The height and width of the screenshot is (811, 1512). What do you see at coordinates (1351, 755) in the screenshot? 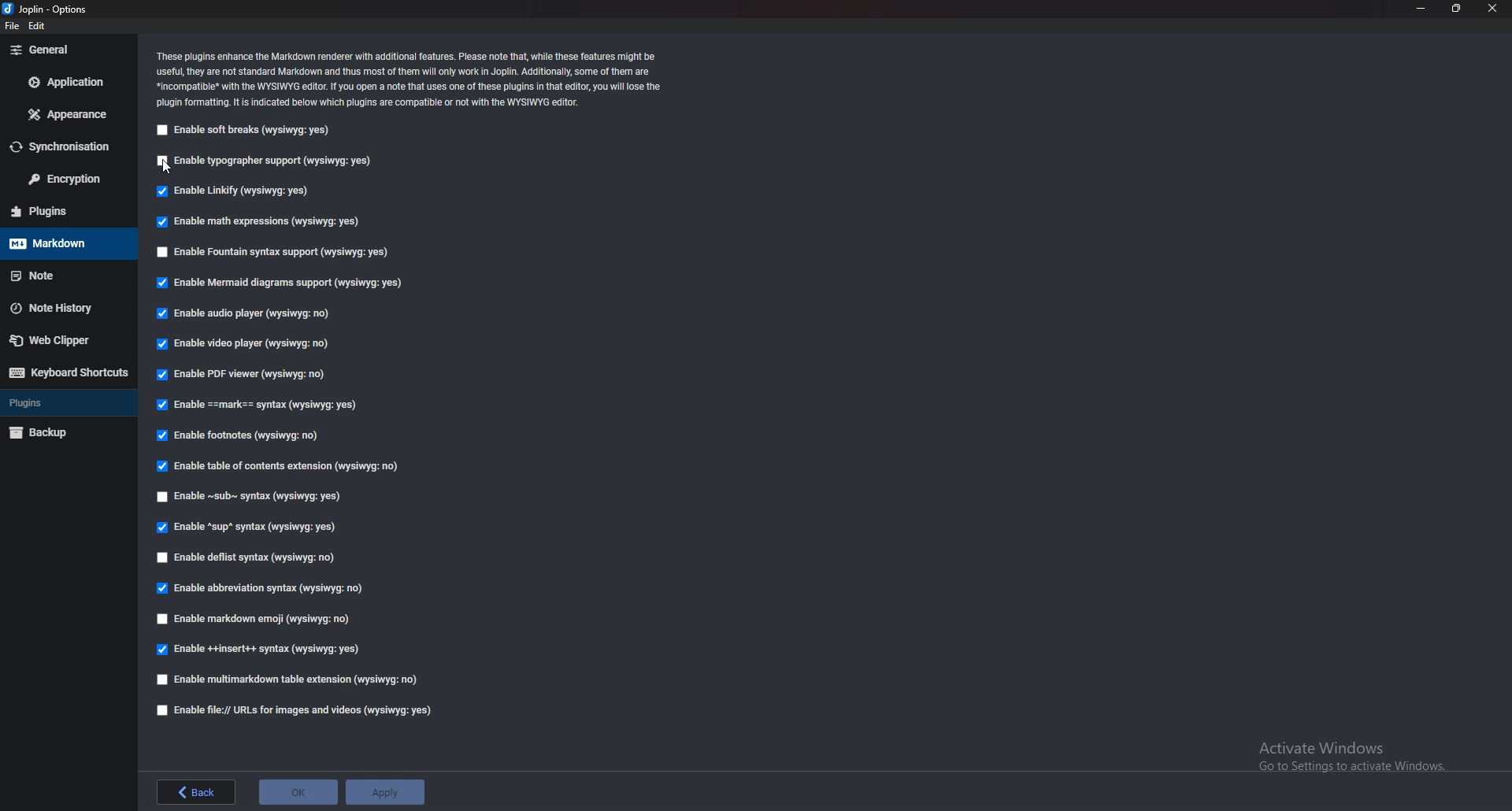
I see `Activate Windows` at bounding box center [1351, 755].